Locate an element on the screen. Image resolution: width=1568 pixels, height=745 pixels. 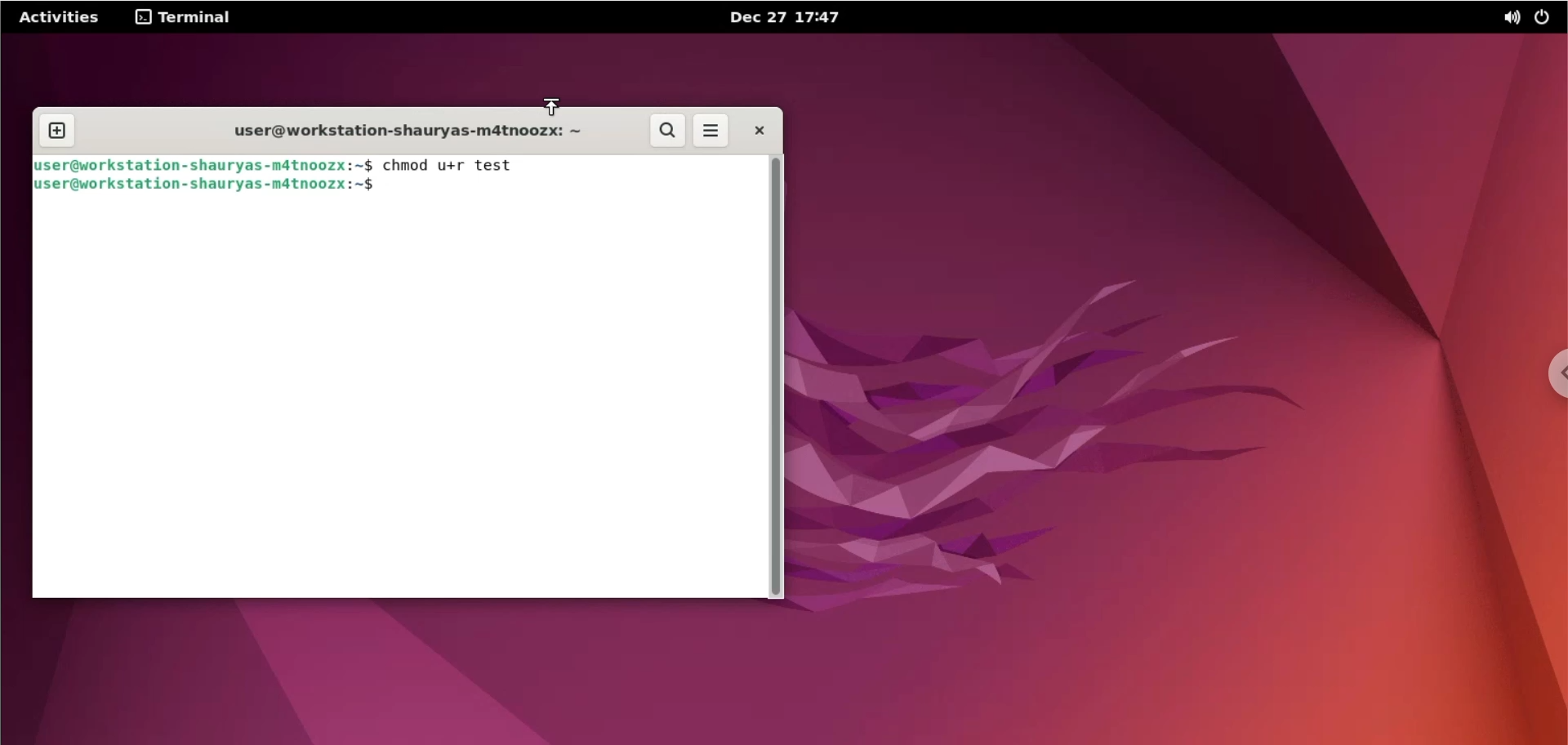
Activities is located at coordinates (58, 16).